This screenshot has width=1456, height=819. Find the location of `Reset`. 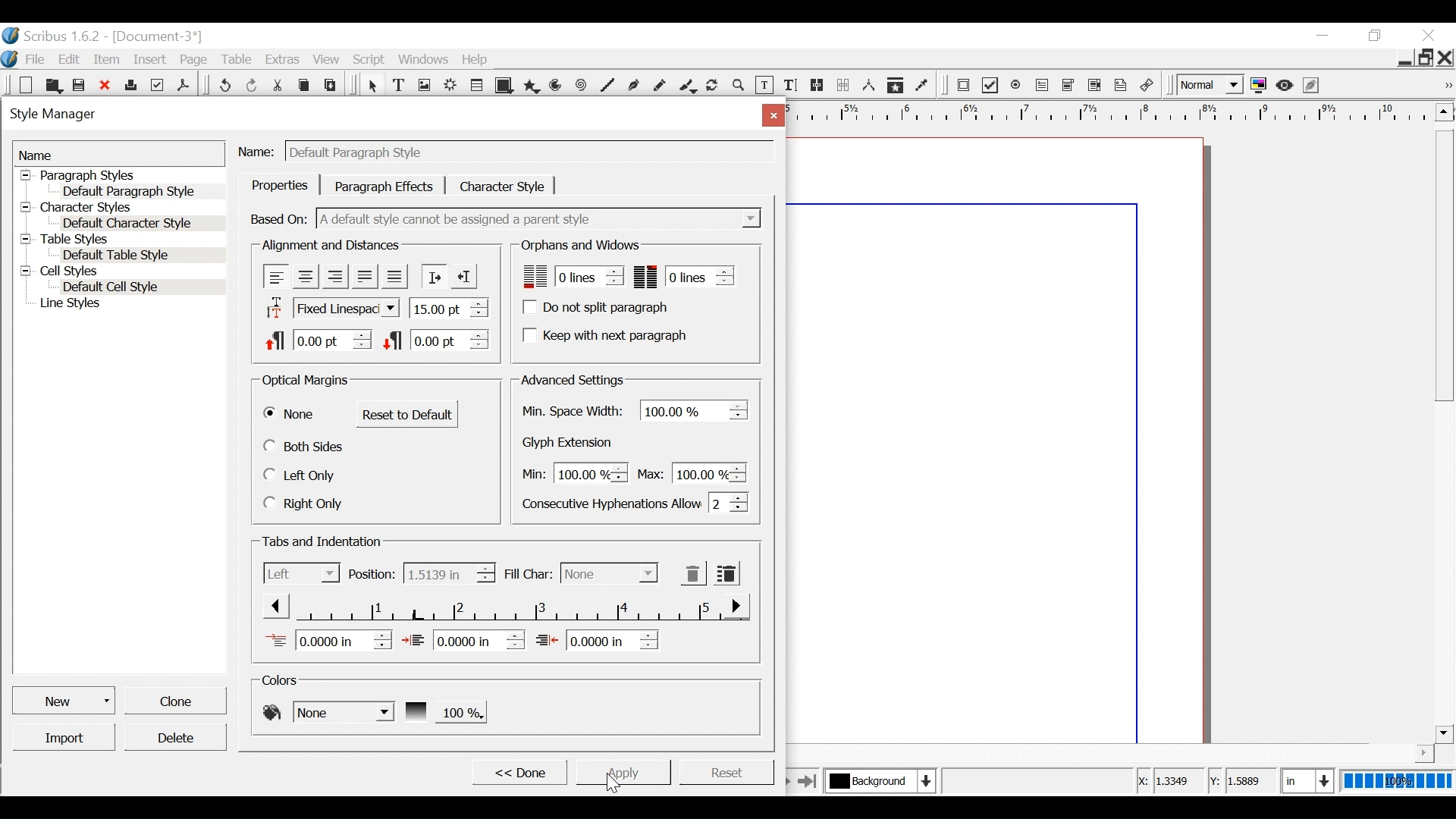

Reset is located at coordinates (726, 771).